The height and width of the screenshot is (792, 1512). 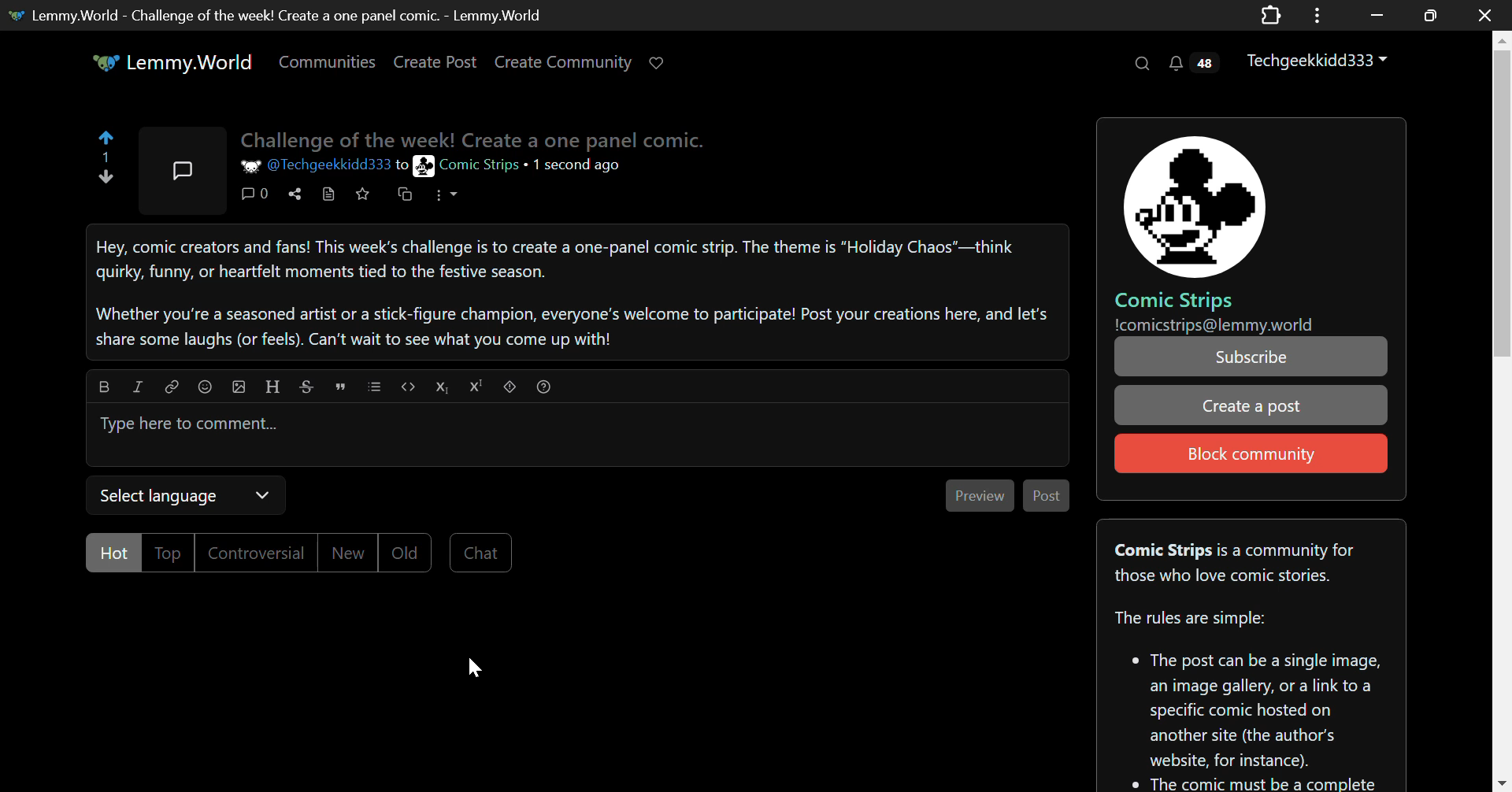 I want to click on Old, so click(x=407, y=552).